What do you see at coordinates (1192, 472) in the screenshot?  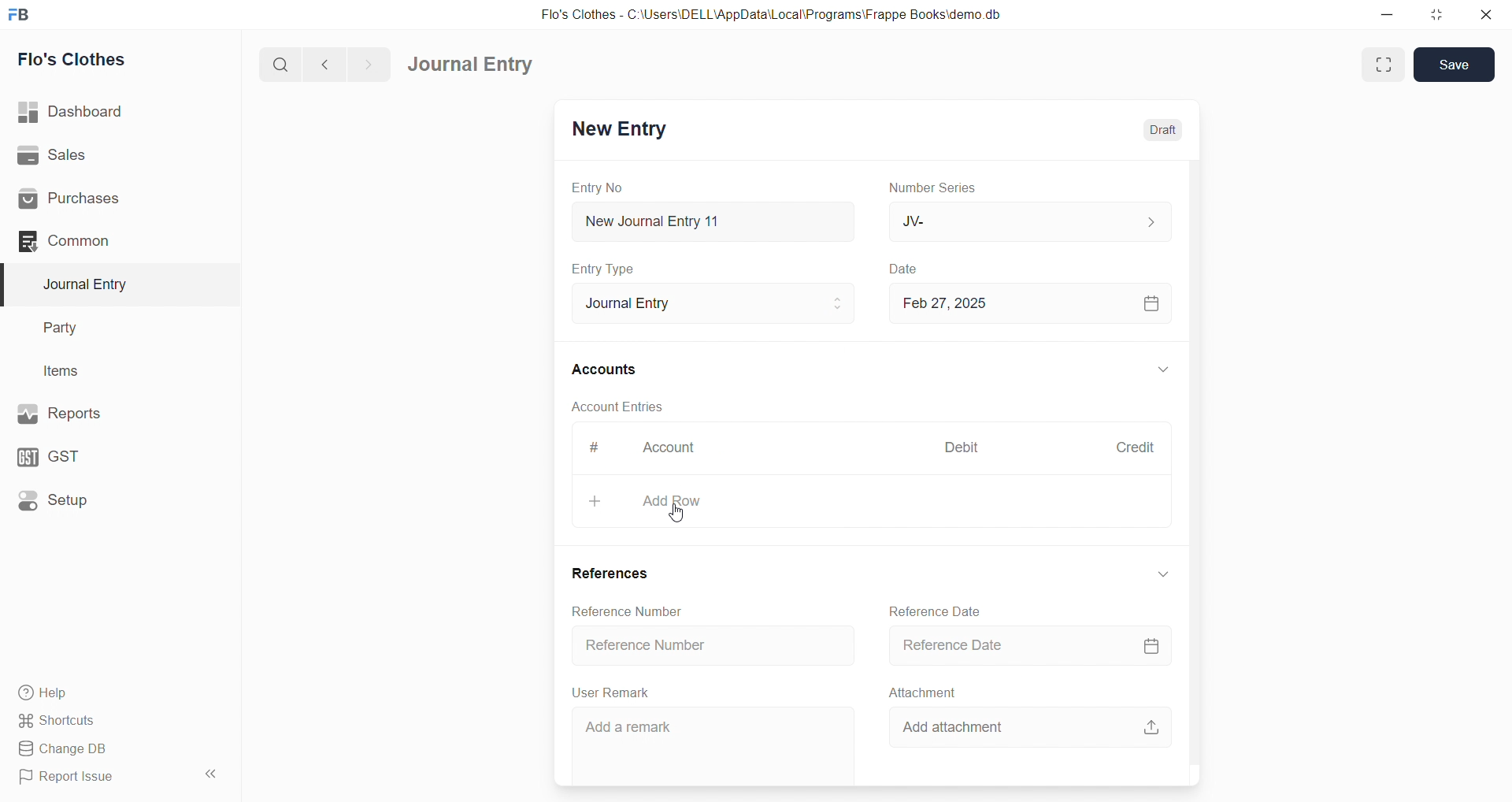 I see `VERTICAL SCROLL BAR` at bounding box center [1192, 472].